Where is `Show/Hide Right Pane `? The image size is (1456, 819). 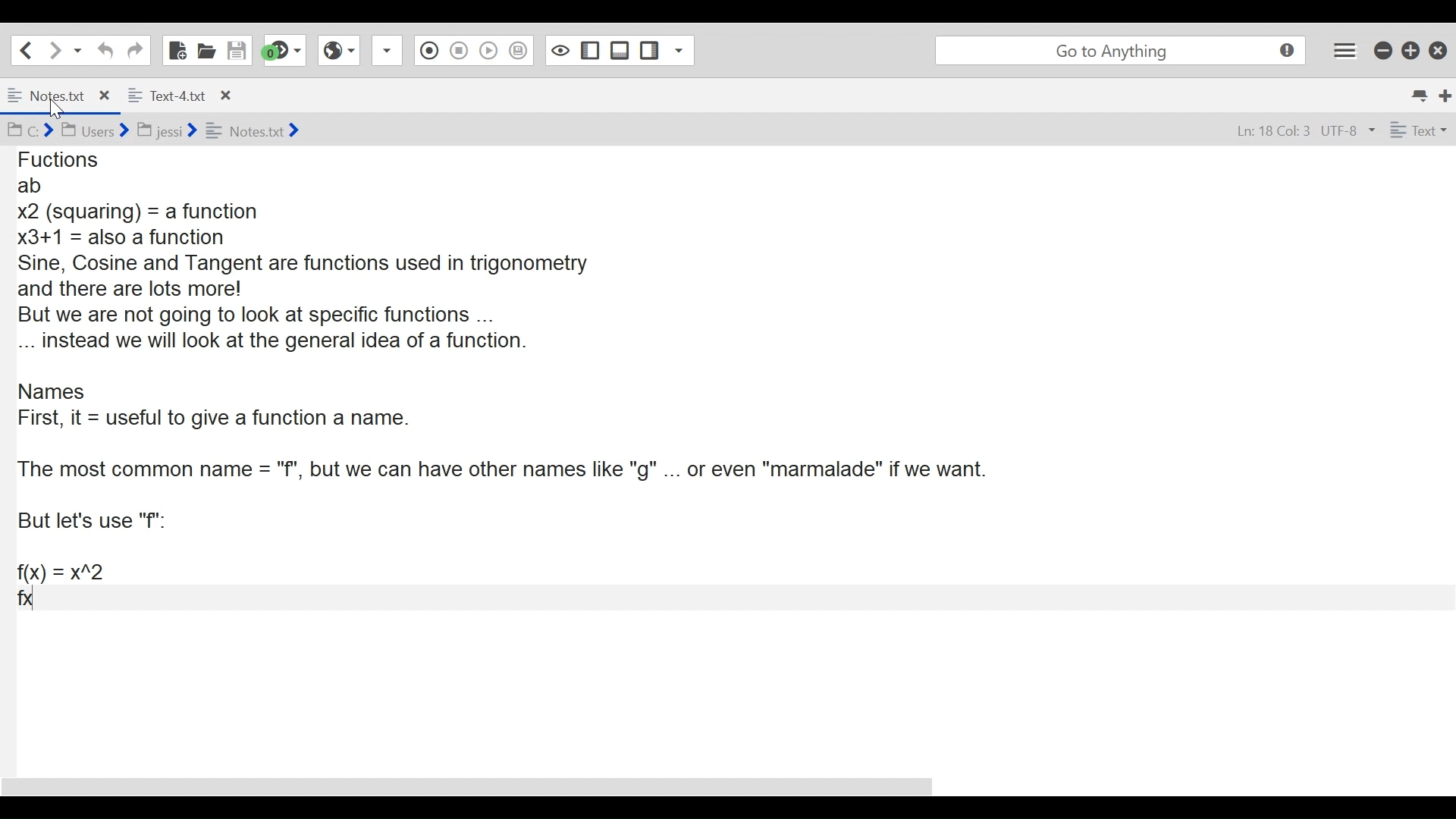 Show/Hide Right Pane  is located at coordinates (650, 50).